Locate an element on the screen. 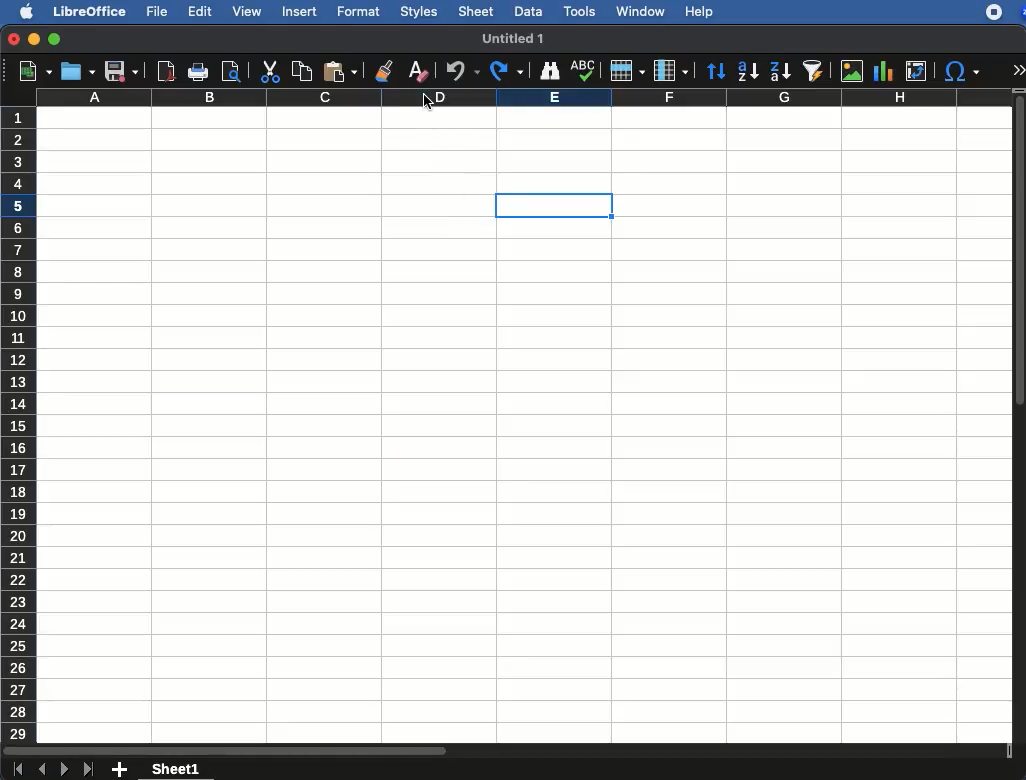 This screenshot has width=1026, height=780. copy is located at coordinates (299, 71).